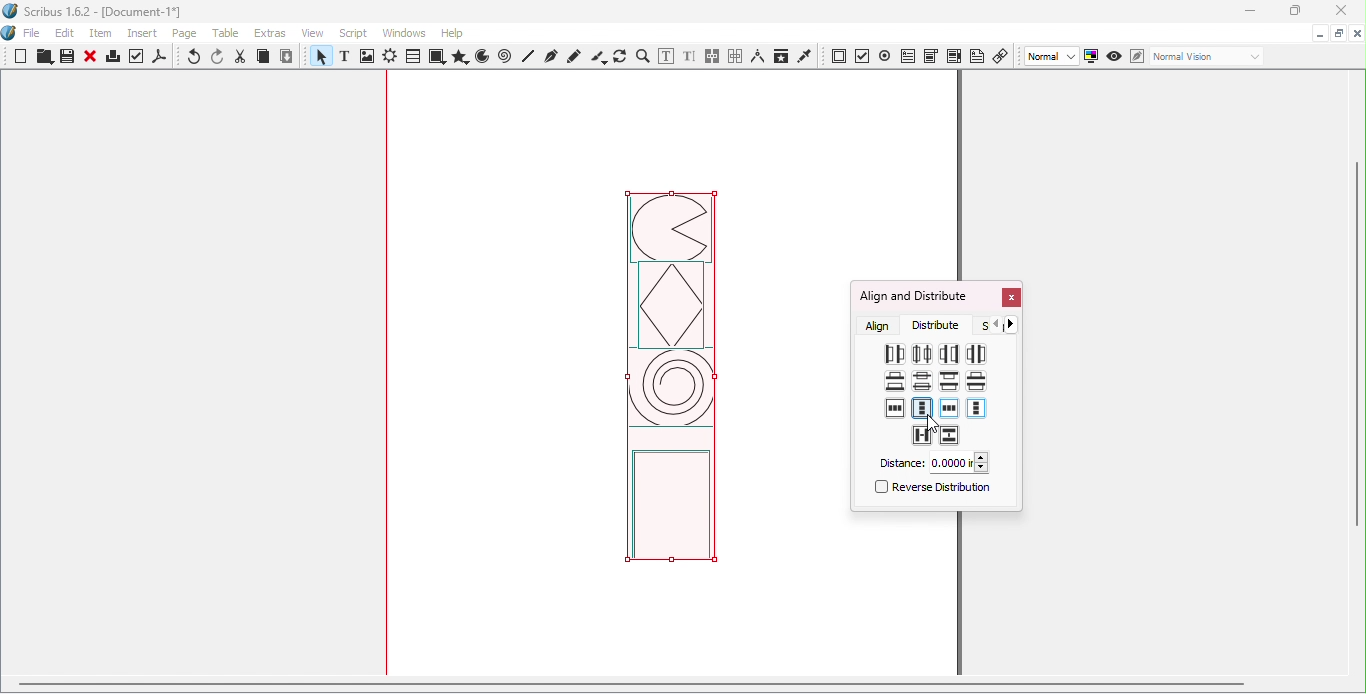 The width and height of the screenshot is (1366, 694). I want to click on PDF text field, so click(907, 54).